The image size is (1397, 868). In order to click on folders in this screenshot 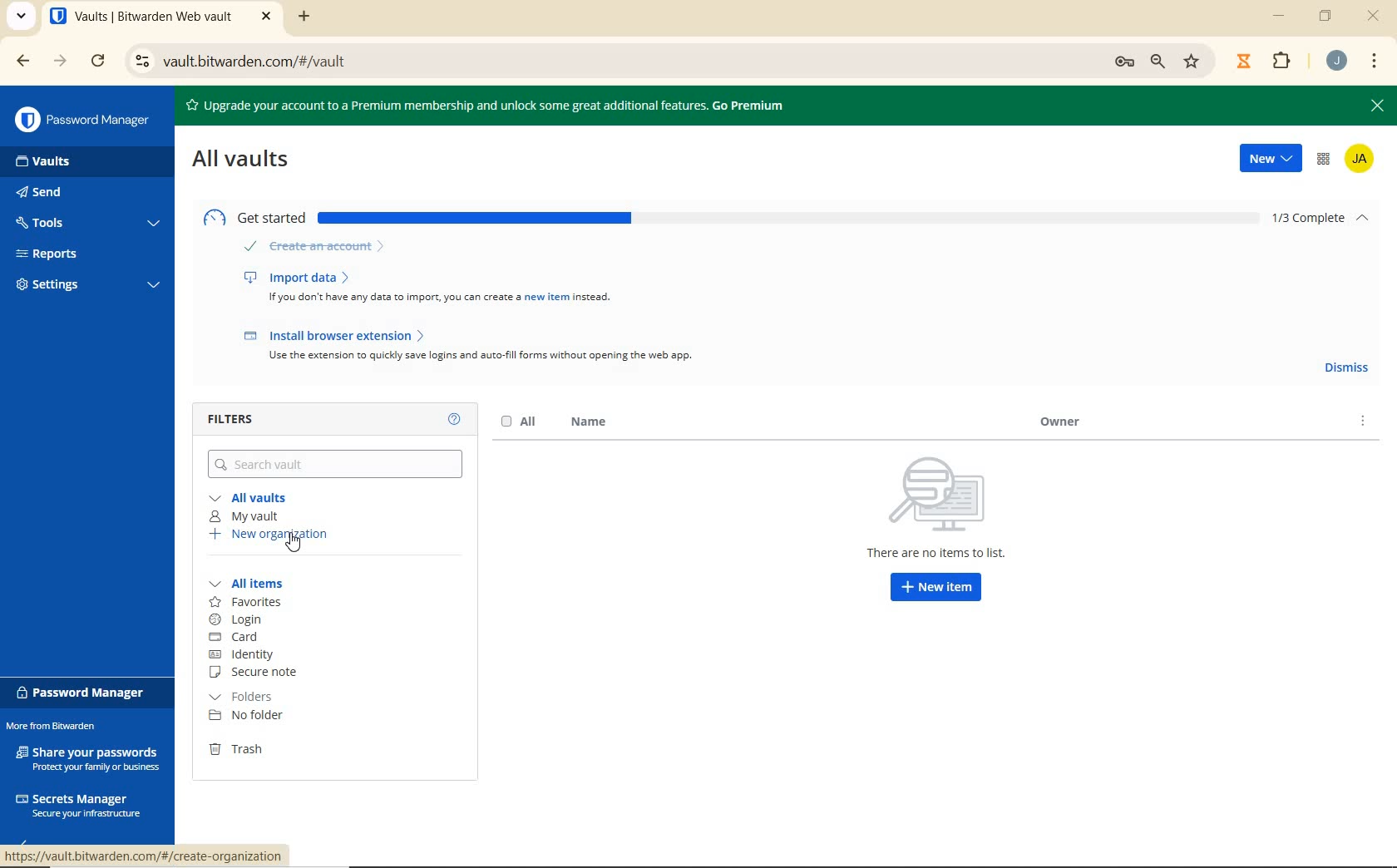, I will do `click(247, 697)`.